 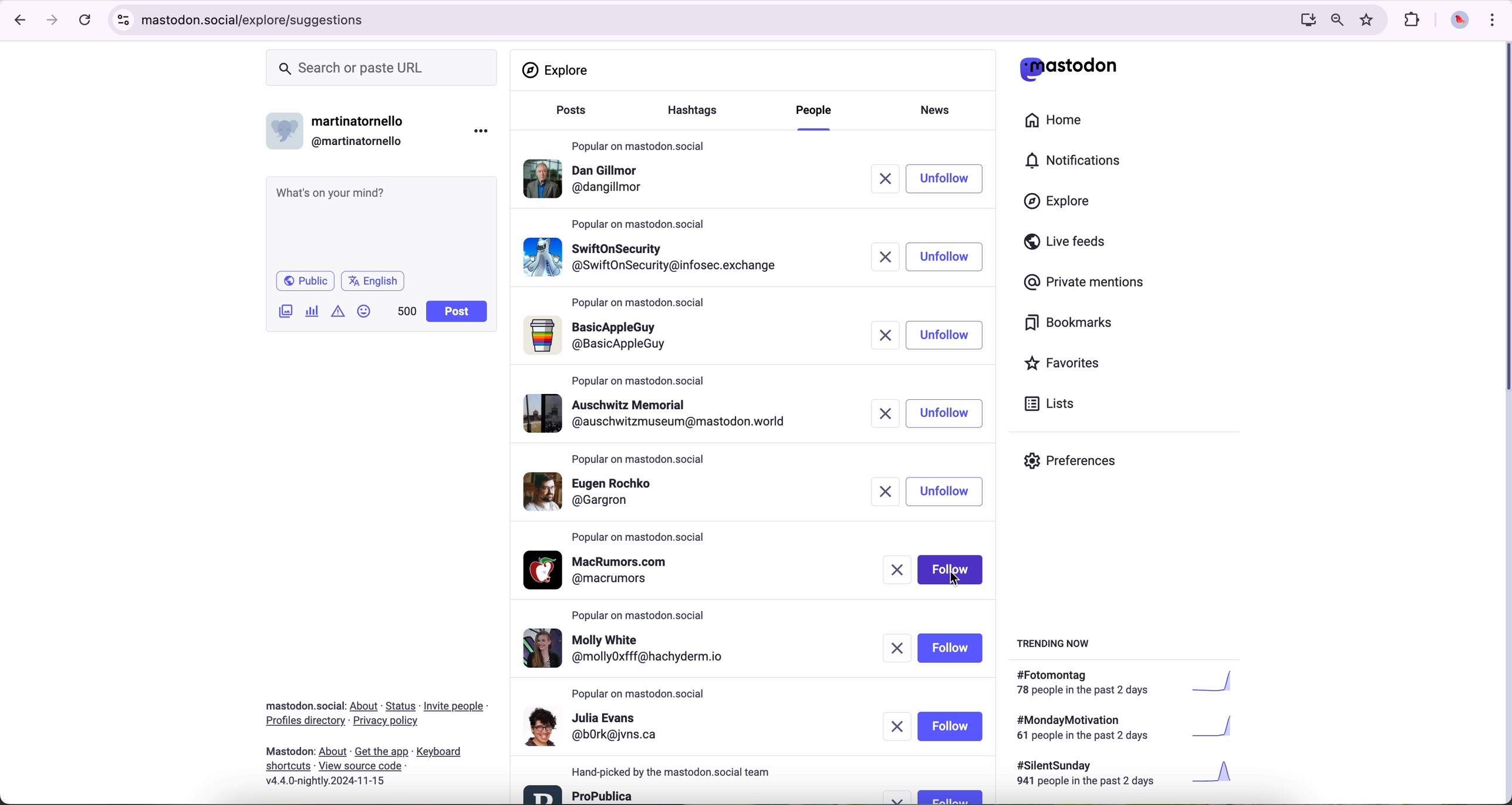 I want to click on 500 characters, so click(x=406, y=311).